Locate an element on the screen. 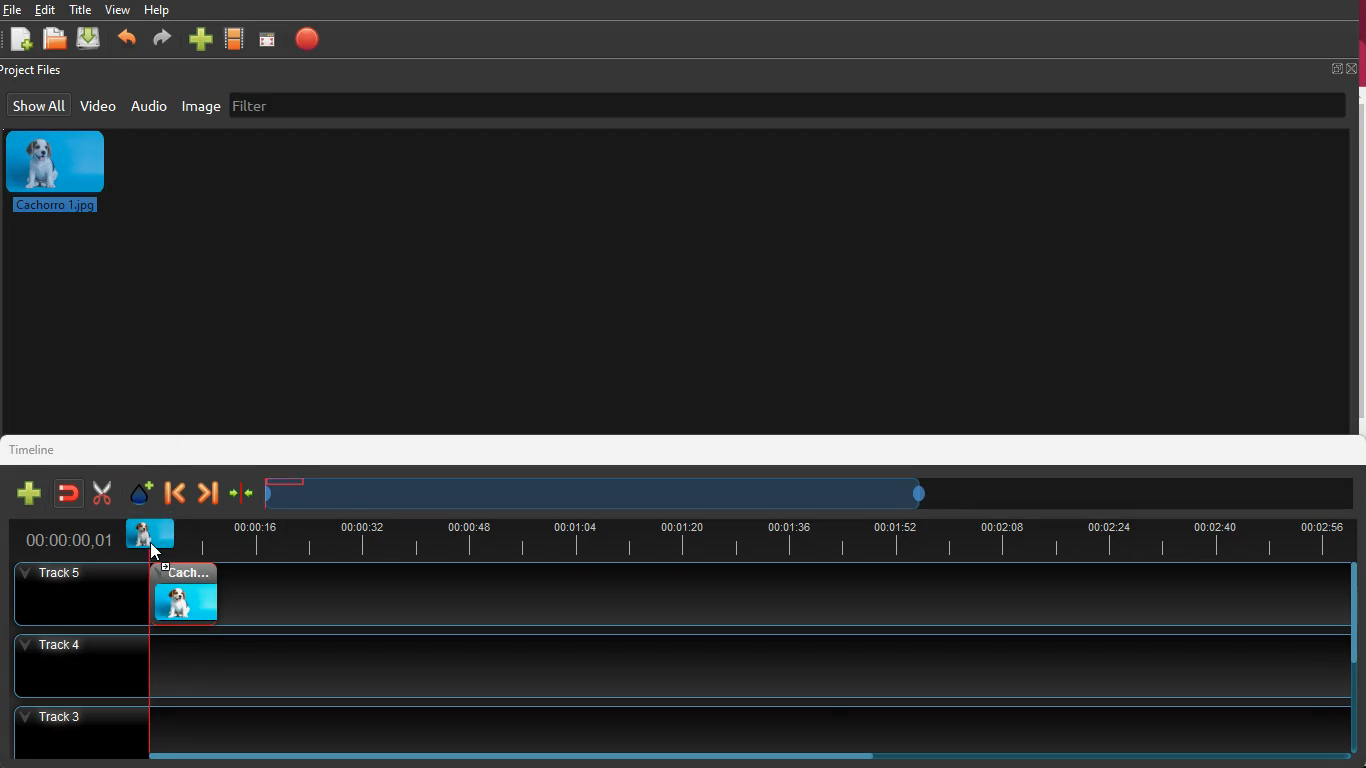 Image resolution: width=1366 pixels, height=768 pixels. backward is located at coordinates (128, 37).